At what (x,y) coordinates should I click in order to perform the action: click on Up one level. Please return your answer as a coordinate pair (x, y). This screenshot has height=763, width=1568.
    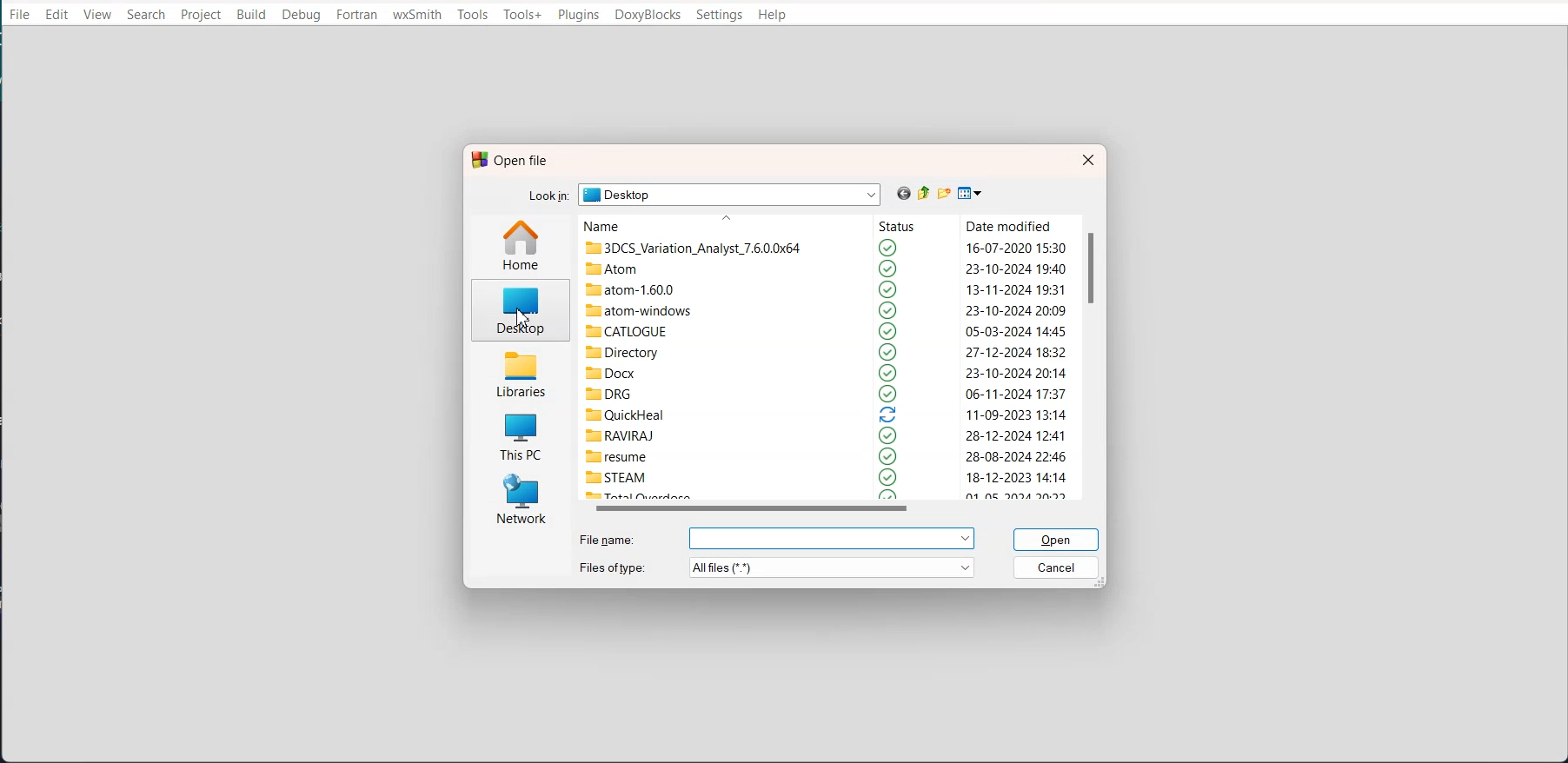
    Looking at the image, I should click on (927, 193).